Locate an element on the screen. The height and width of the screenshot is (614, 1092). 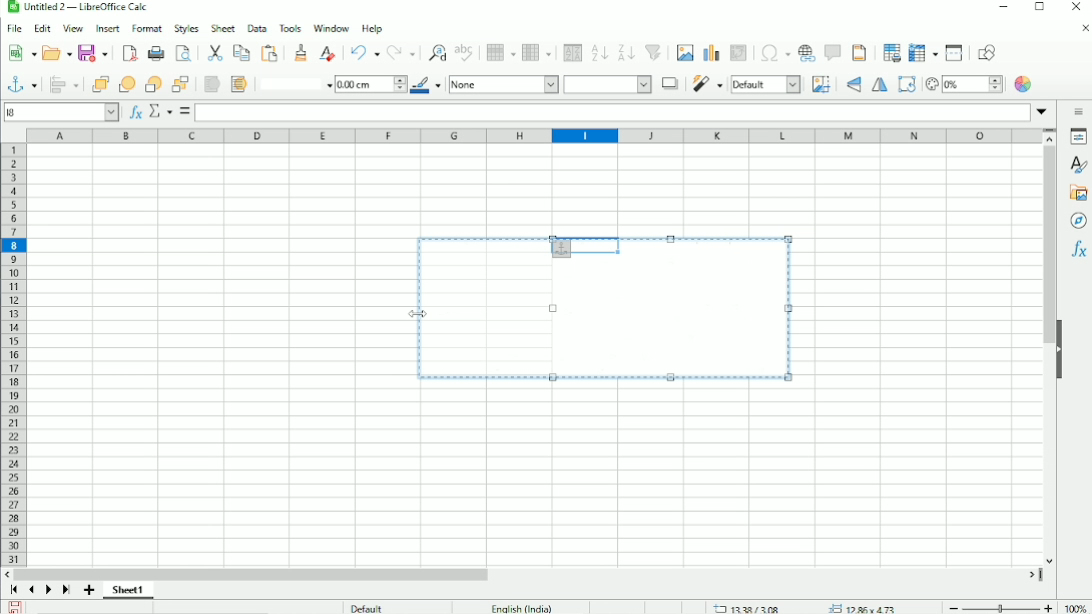
Styles is located at coordinates (1076, 164).